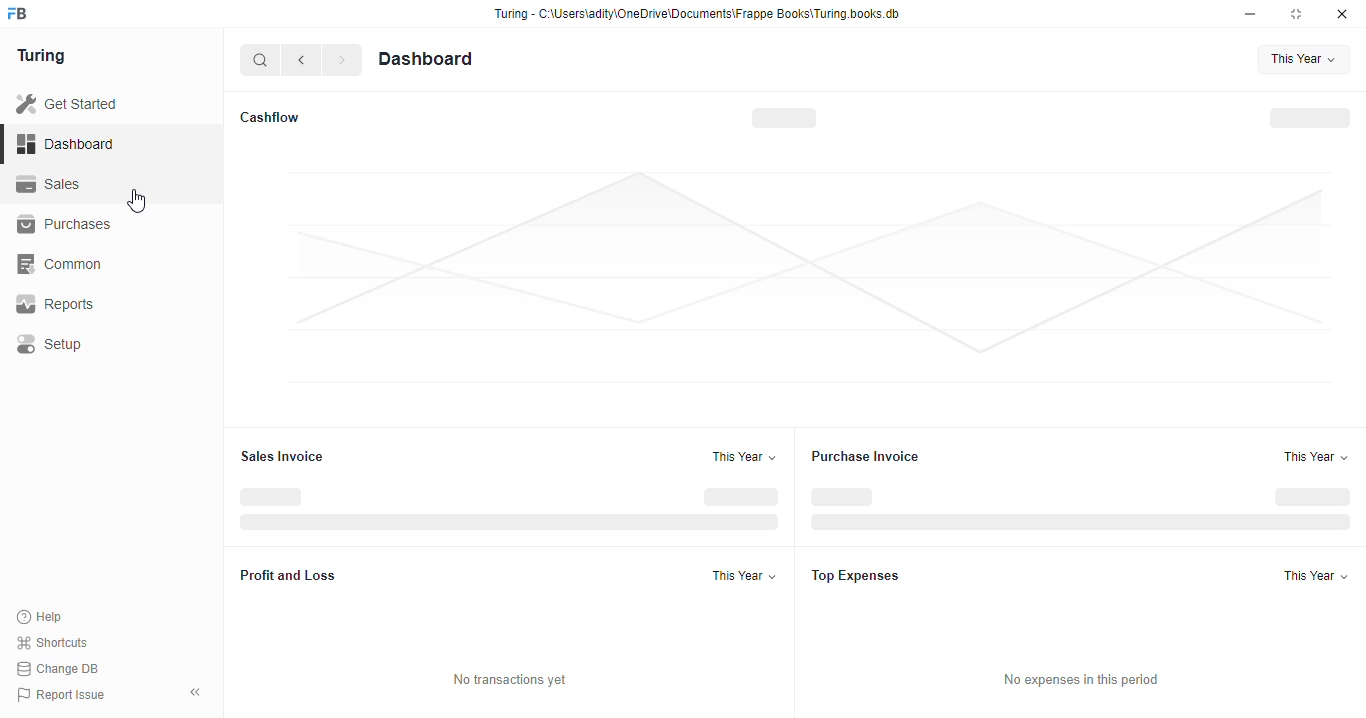 The height and width of the screenshot is (718, 1366). I want to click on This Year +, so click(746, 456).